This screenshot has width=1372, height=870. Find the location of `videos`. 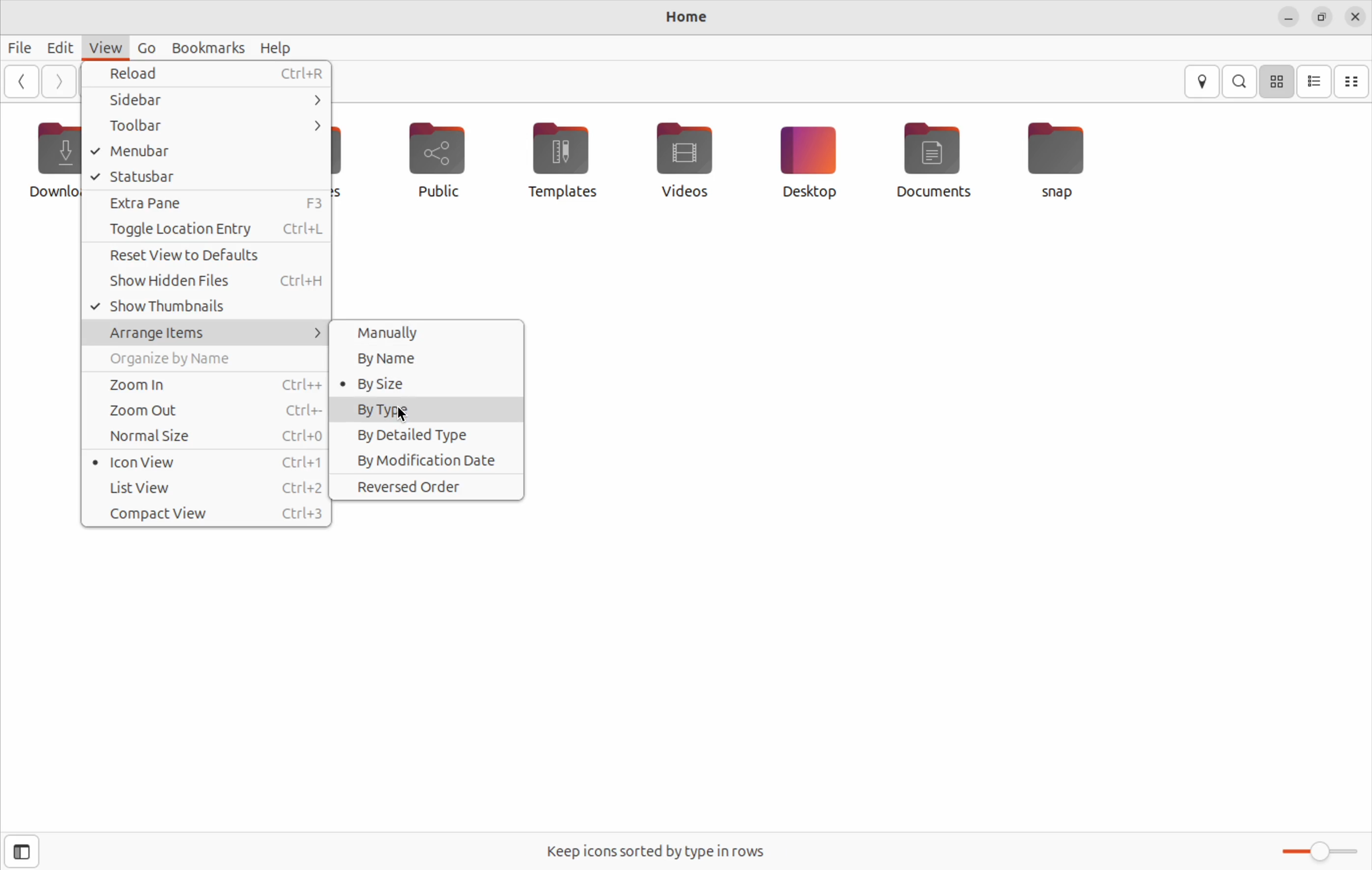

videos is located at coordinates (684, 157).